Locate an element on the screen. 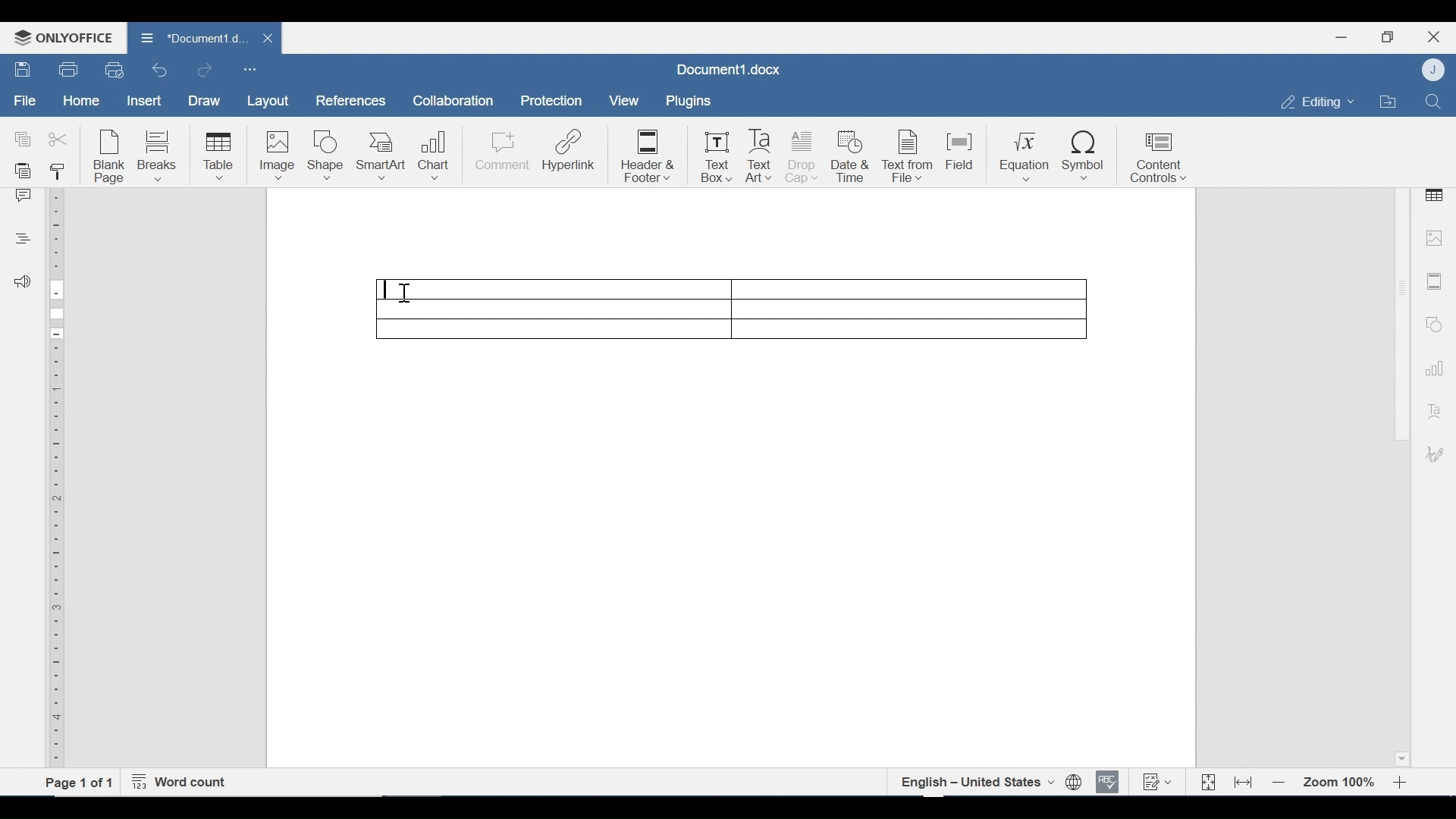  Cut is located at coordinates (60, 140).